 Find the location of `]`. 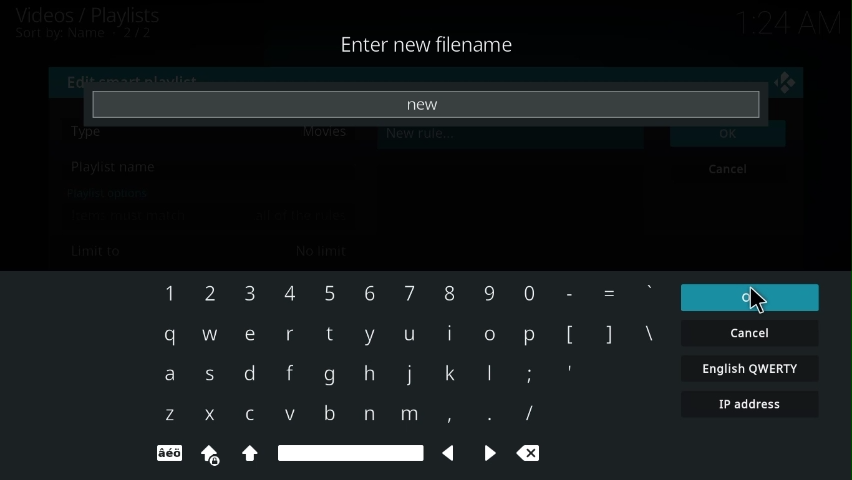

] is located at coordinates (607, 335).